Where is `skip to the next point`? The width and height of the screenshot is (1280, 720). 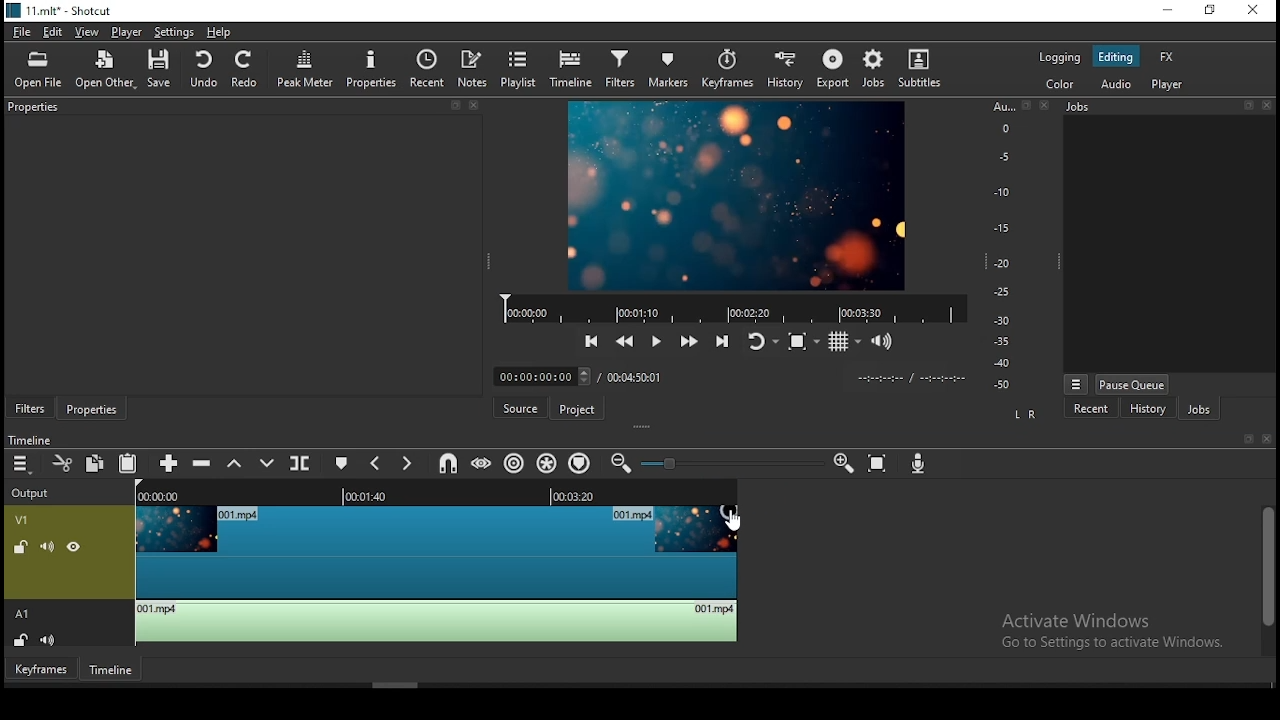 skip to the next point is located at coordinates (722, 344).